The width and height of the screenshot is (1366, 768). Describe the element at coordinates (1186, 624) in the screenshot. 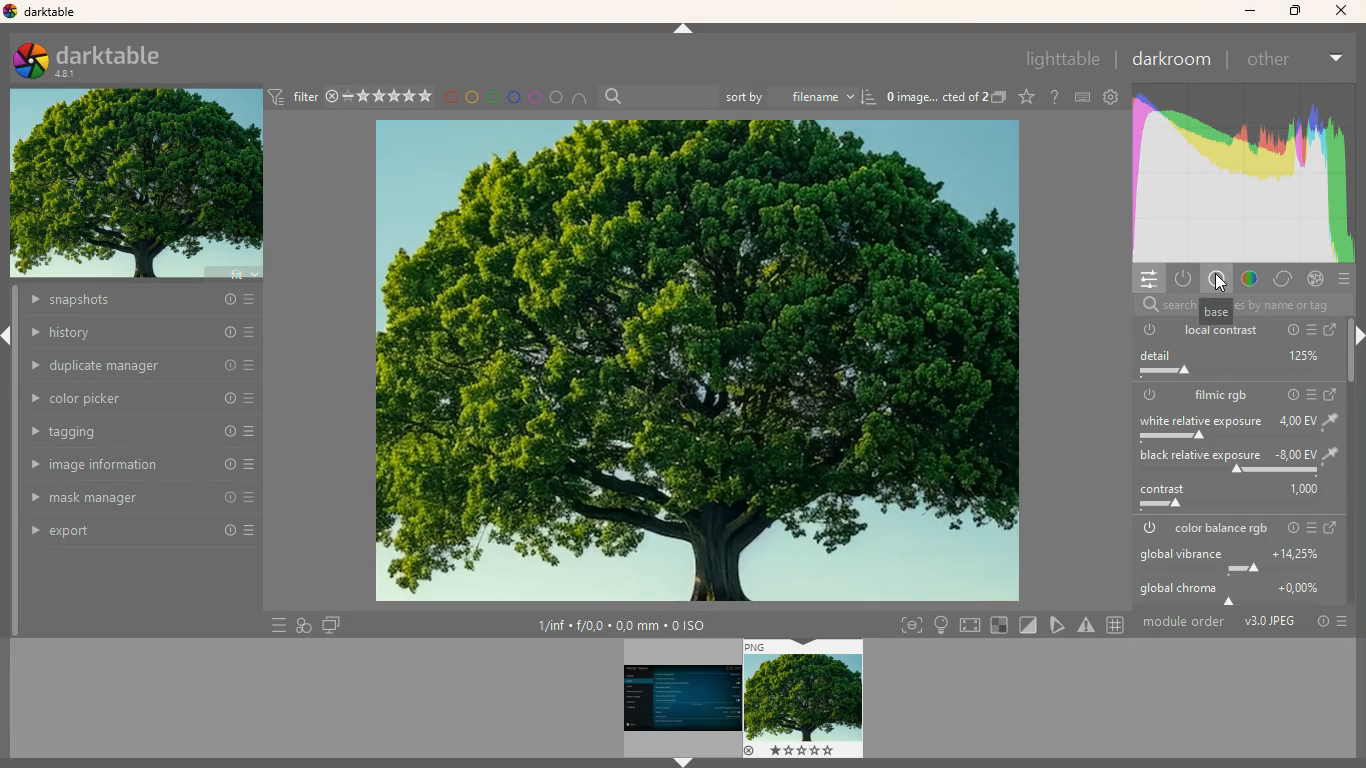

I see `module order` at that location.